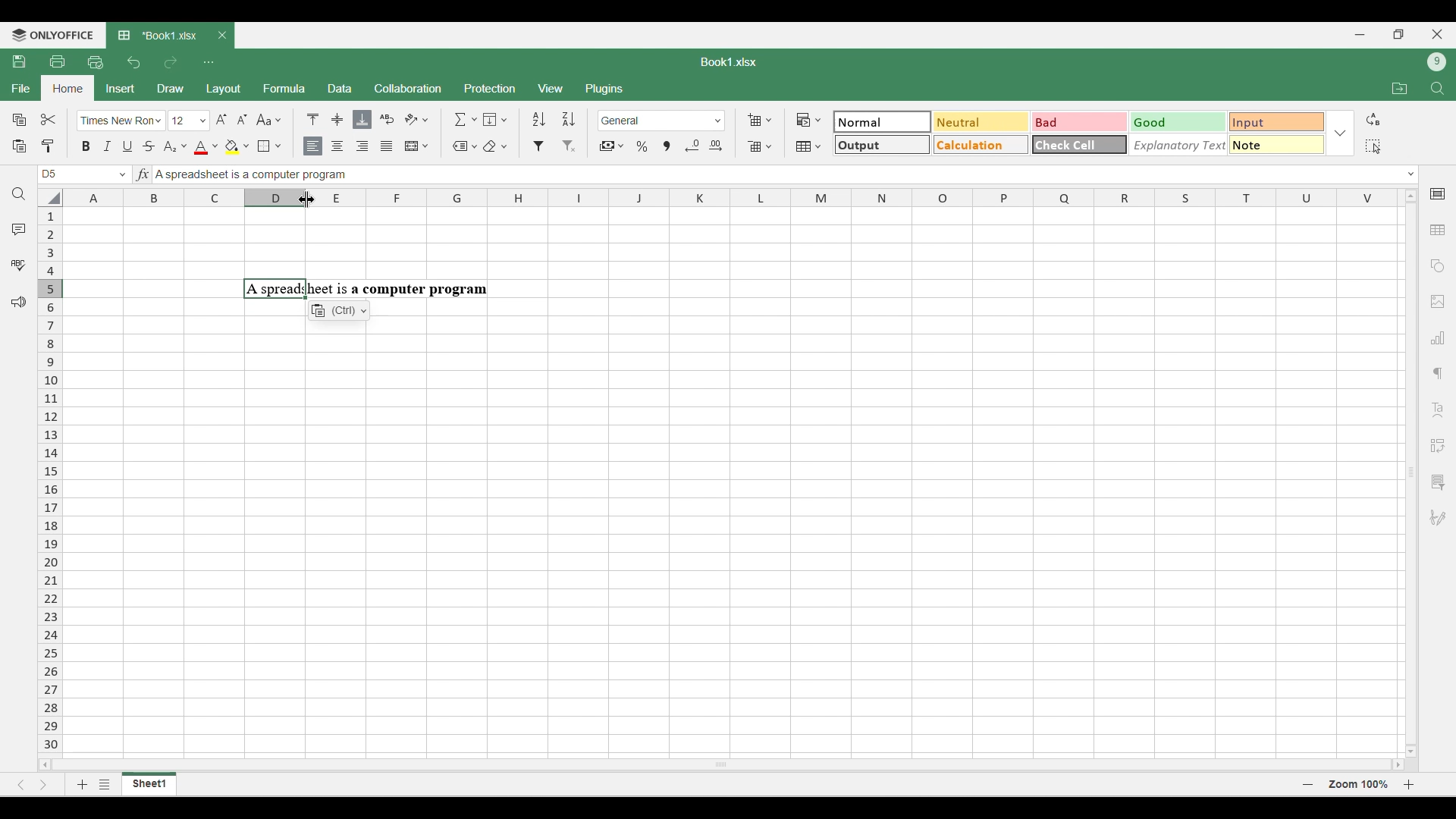 This screenshot has height=819, width=1456. I want to click on Protection menu, so click(489, 88).